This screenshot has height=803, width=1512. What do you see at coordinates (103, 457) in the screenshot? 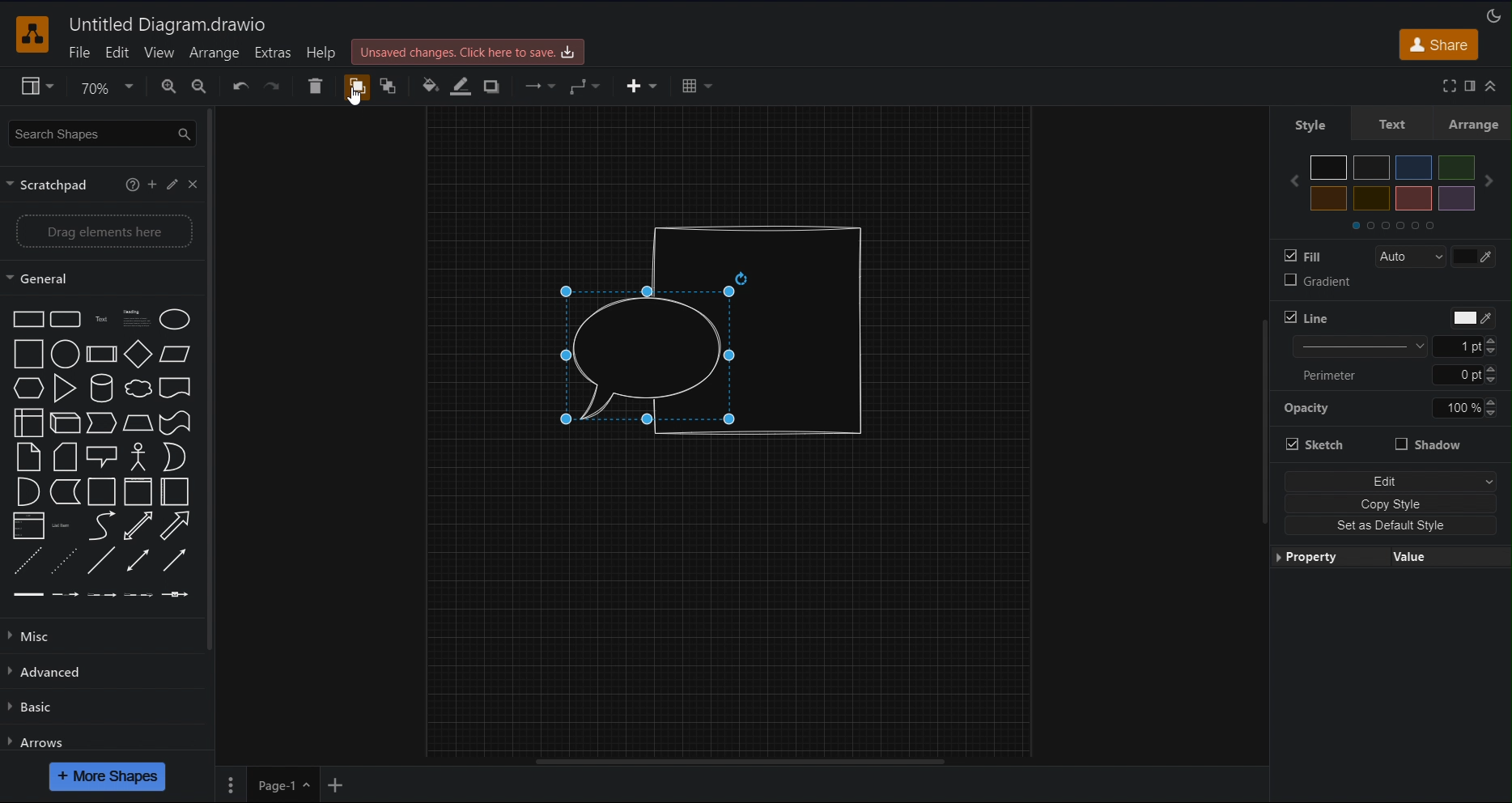
I see `Callout` at bounding box center [103, 457].